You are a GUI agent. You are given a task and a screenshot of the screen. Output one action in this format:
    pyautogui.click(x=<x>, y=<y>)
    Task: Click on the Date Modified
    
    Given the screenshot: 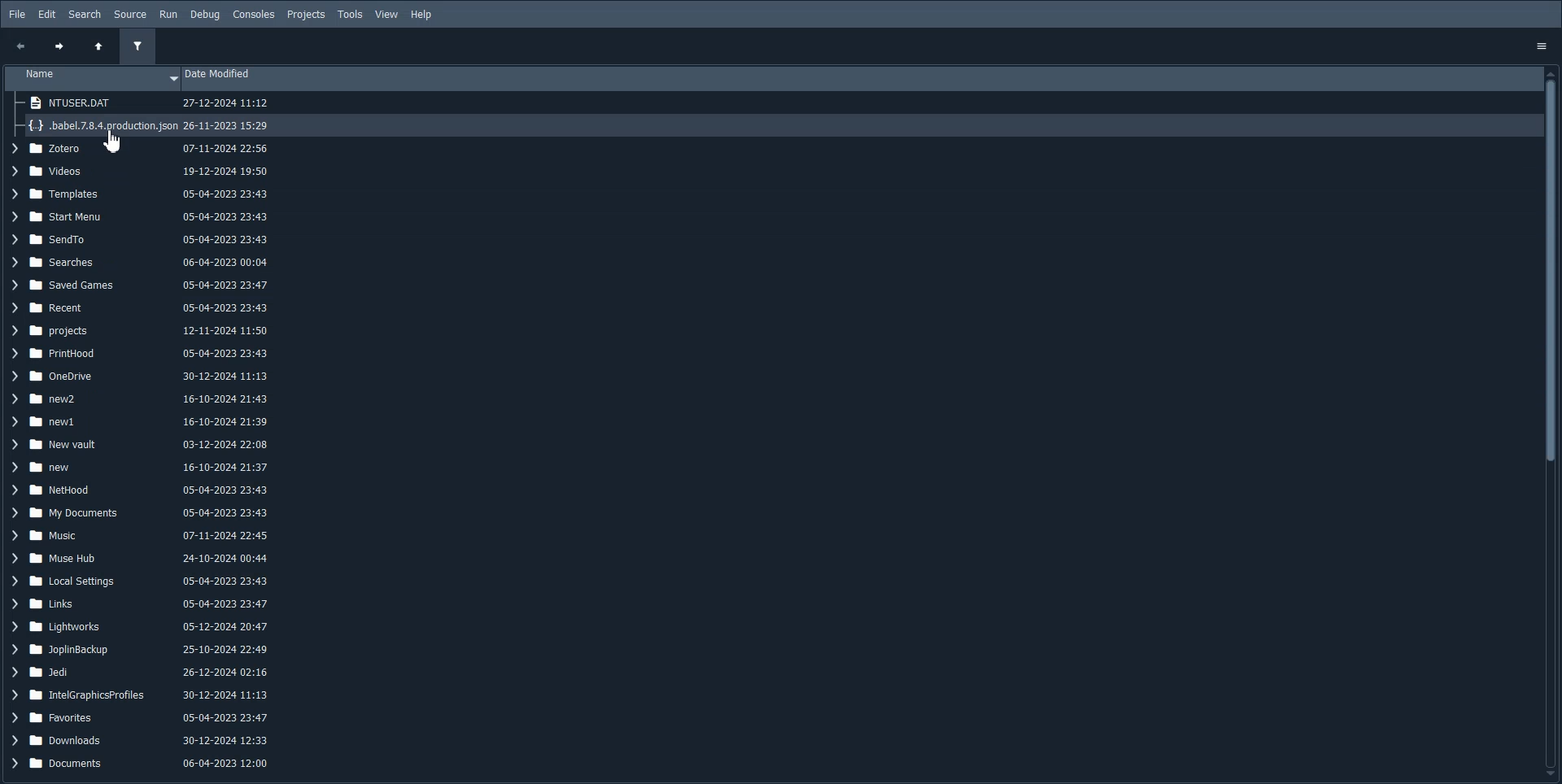 What is the action you would take?
    pyautogui.click(x=860, y=79)
    